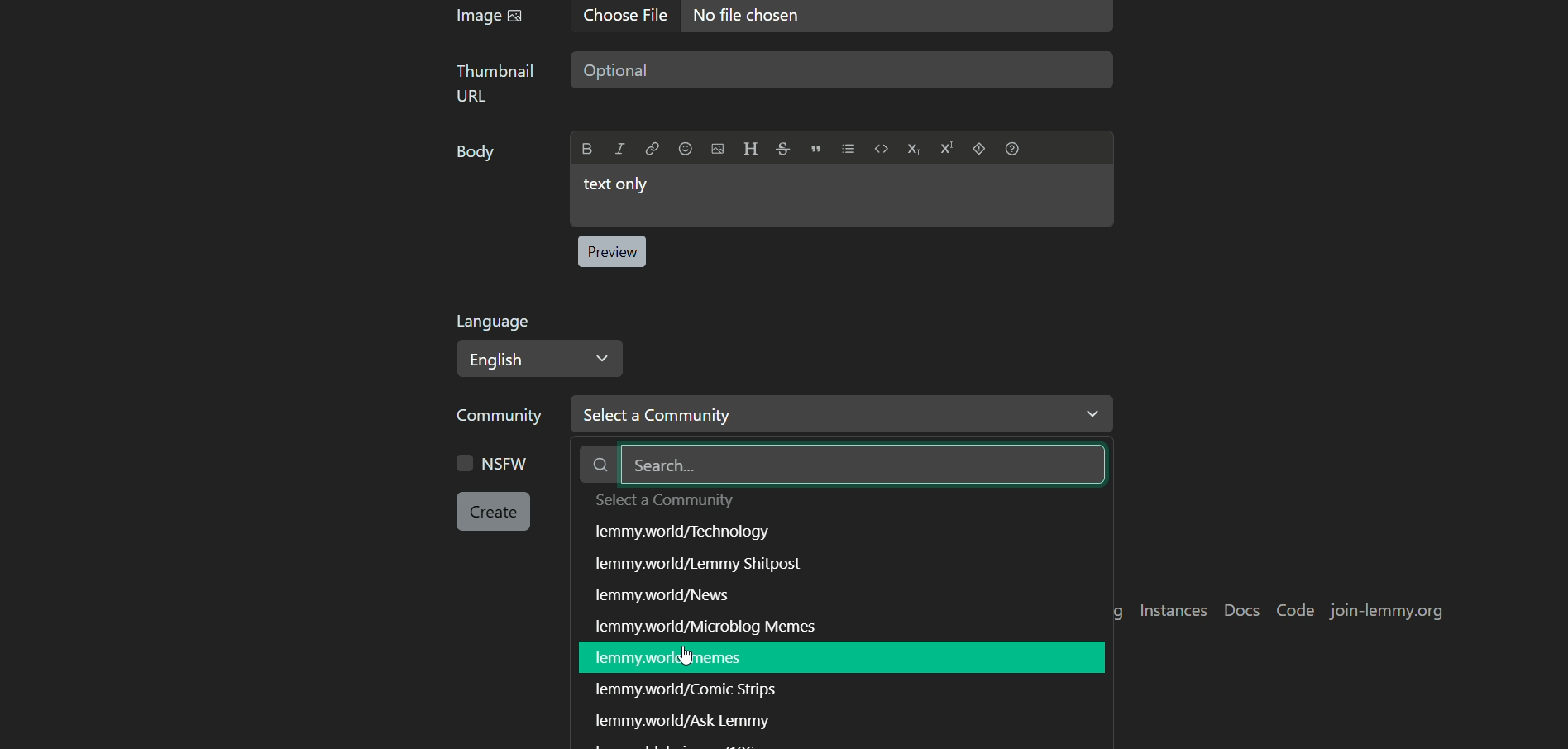 The image size is (1568, 749). Describe the element at coordinates (503, 415) in the screenshot. I see `community` at that location.